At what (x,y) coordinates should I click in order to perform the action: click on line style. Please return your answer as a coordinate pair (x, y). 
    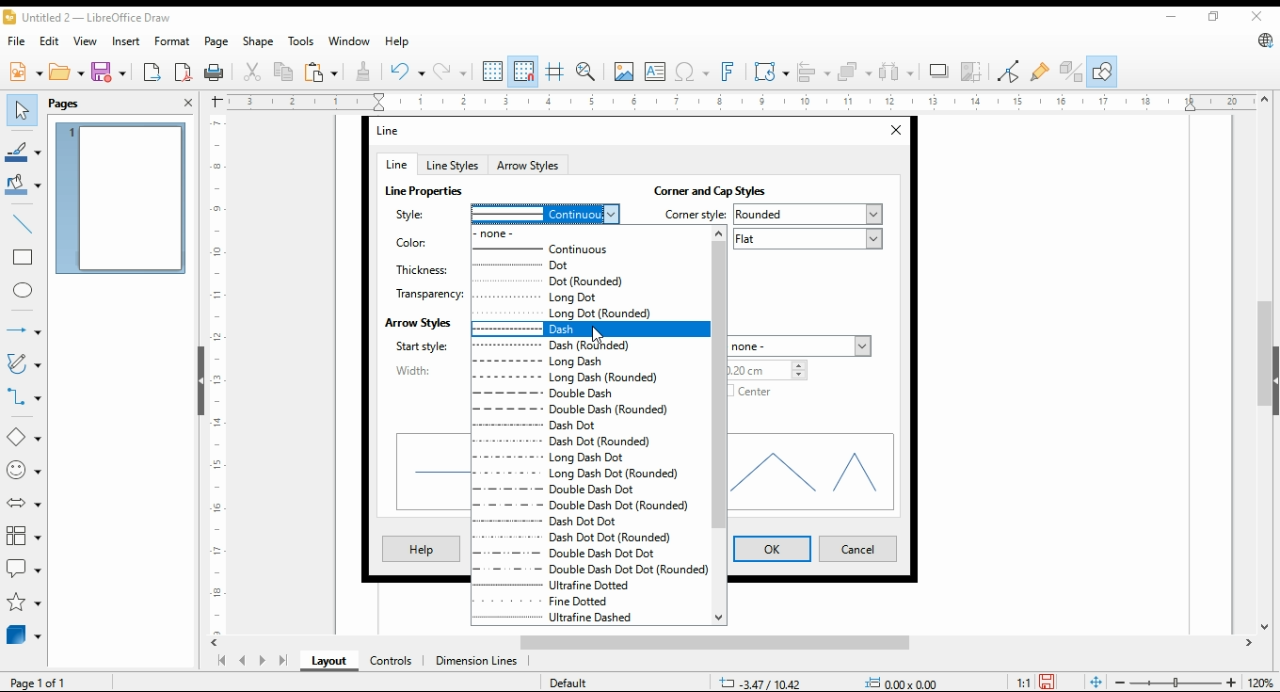
    Looking at the image, I should click on (421, 213).